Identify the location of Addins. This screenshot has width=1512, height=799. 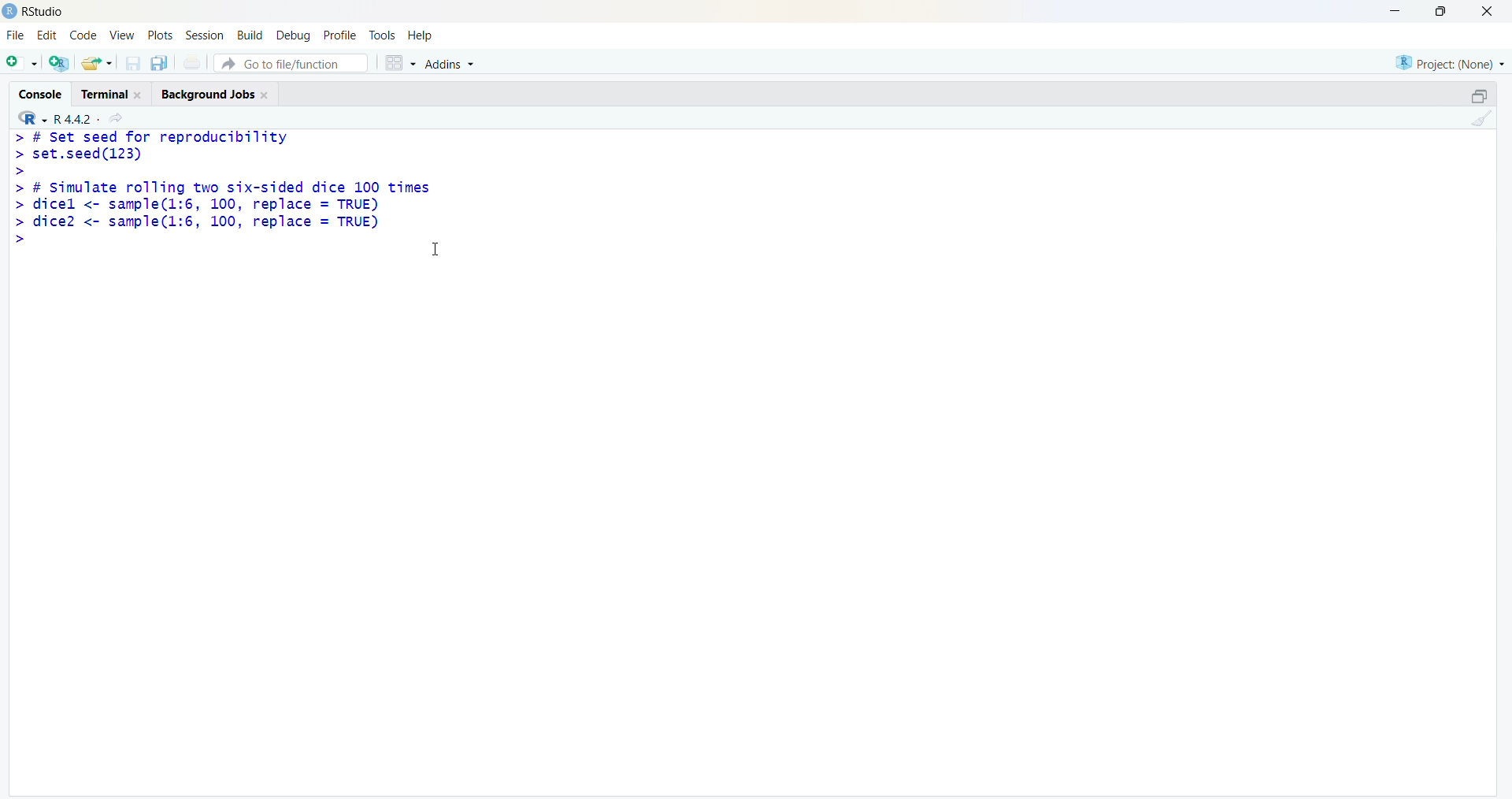
(451, 64).